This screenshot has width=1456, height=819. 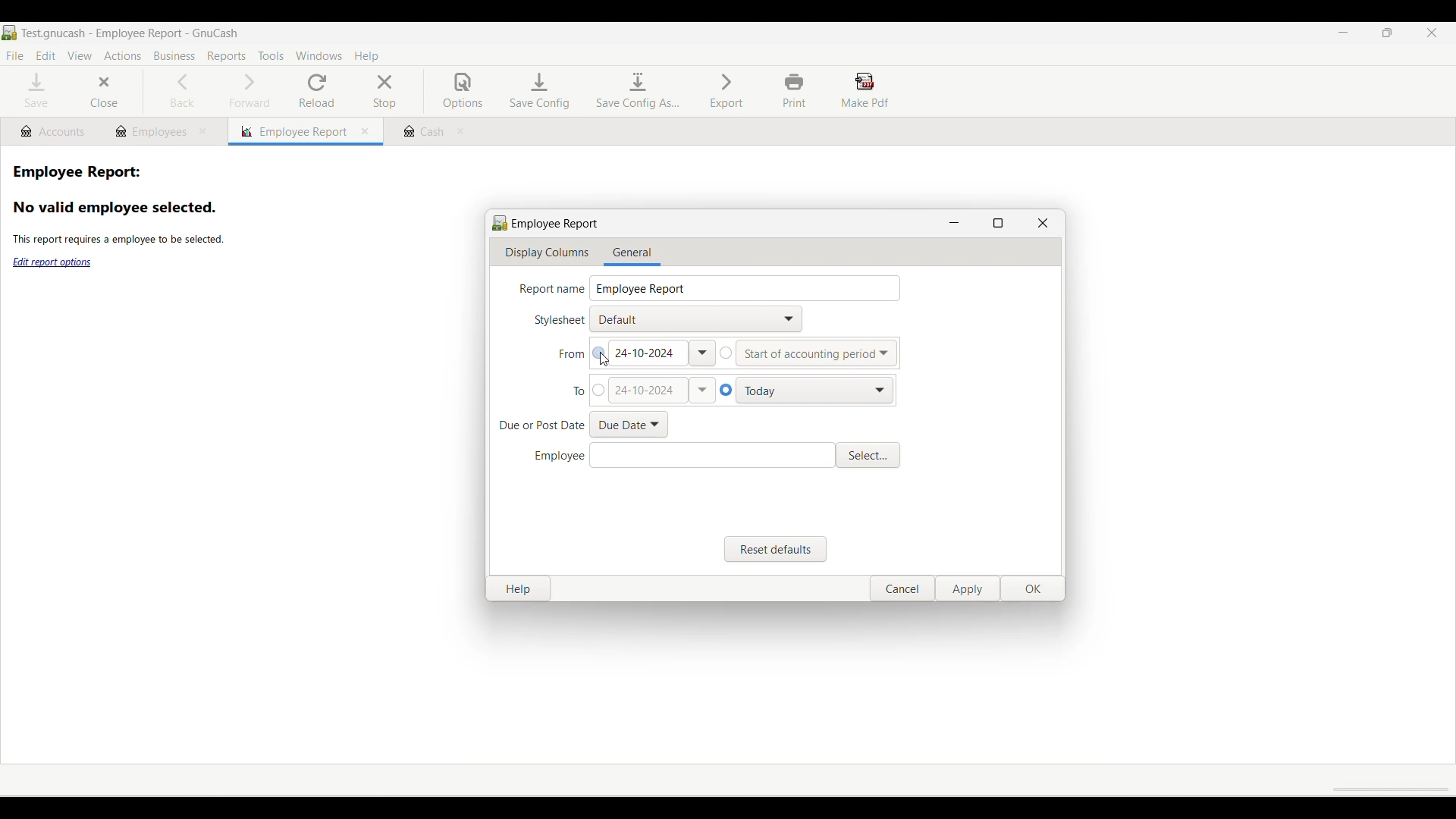 I want to click on Minimize window, so click(x=954, y=222).